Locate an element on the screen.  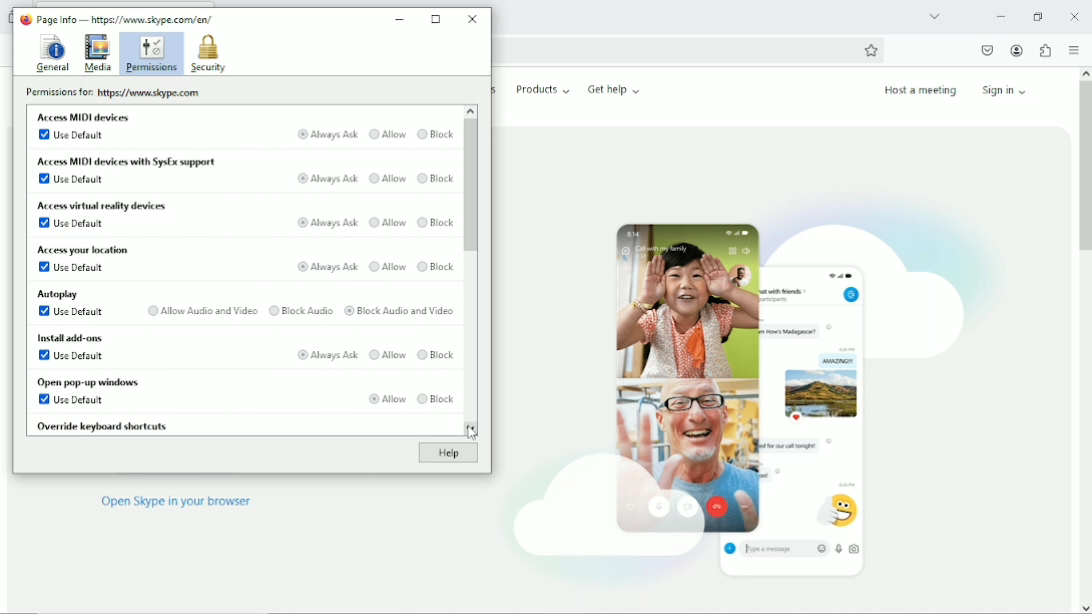
Access MIDI devices is located at coordinates (88, 118).